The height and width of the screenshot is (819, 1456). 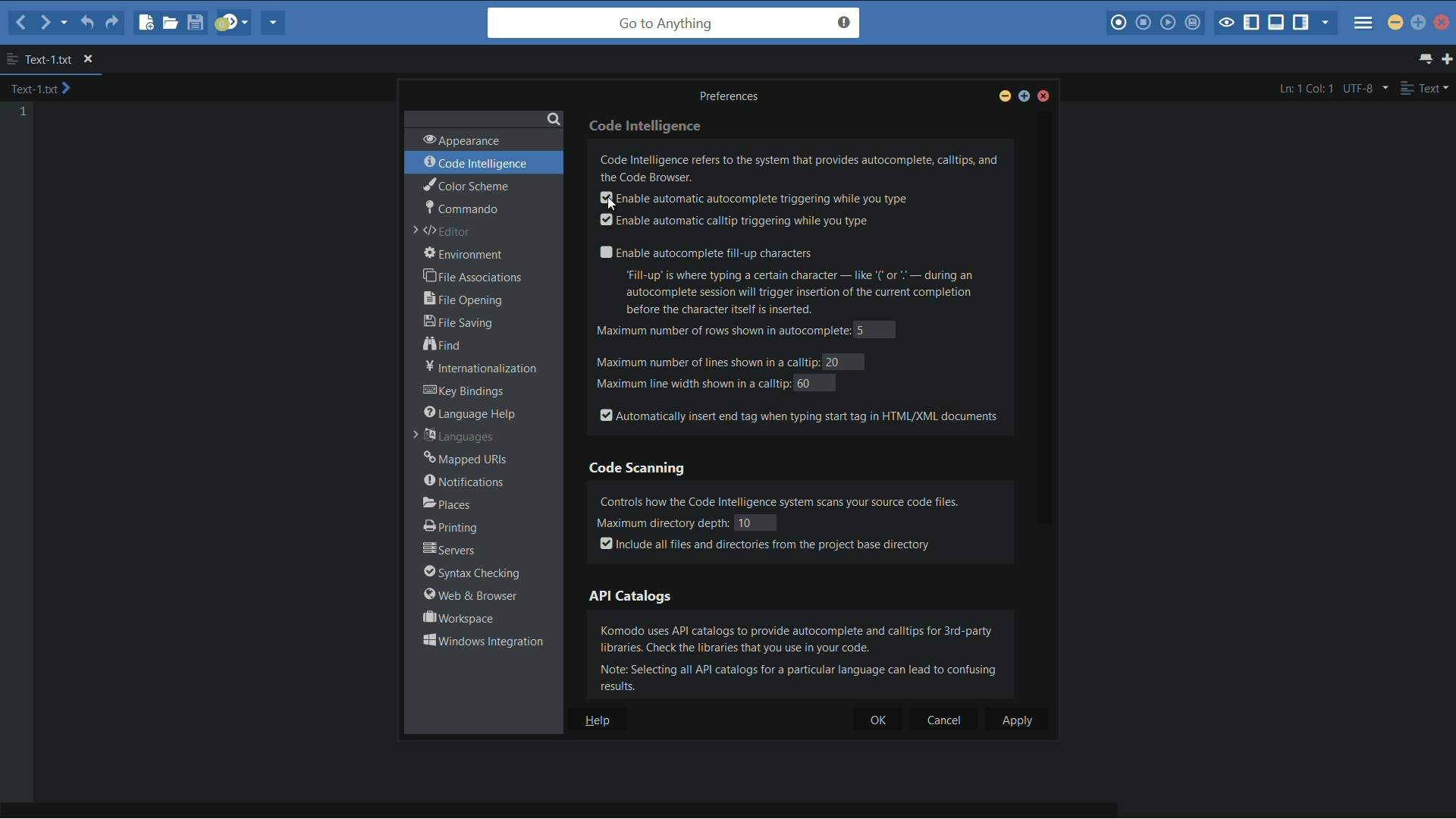 What do you see at coordinates (1144, 24) in the screenshot?
I see `stop macro` at bounding box center [1144, 24].